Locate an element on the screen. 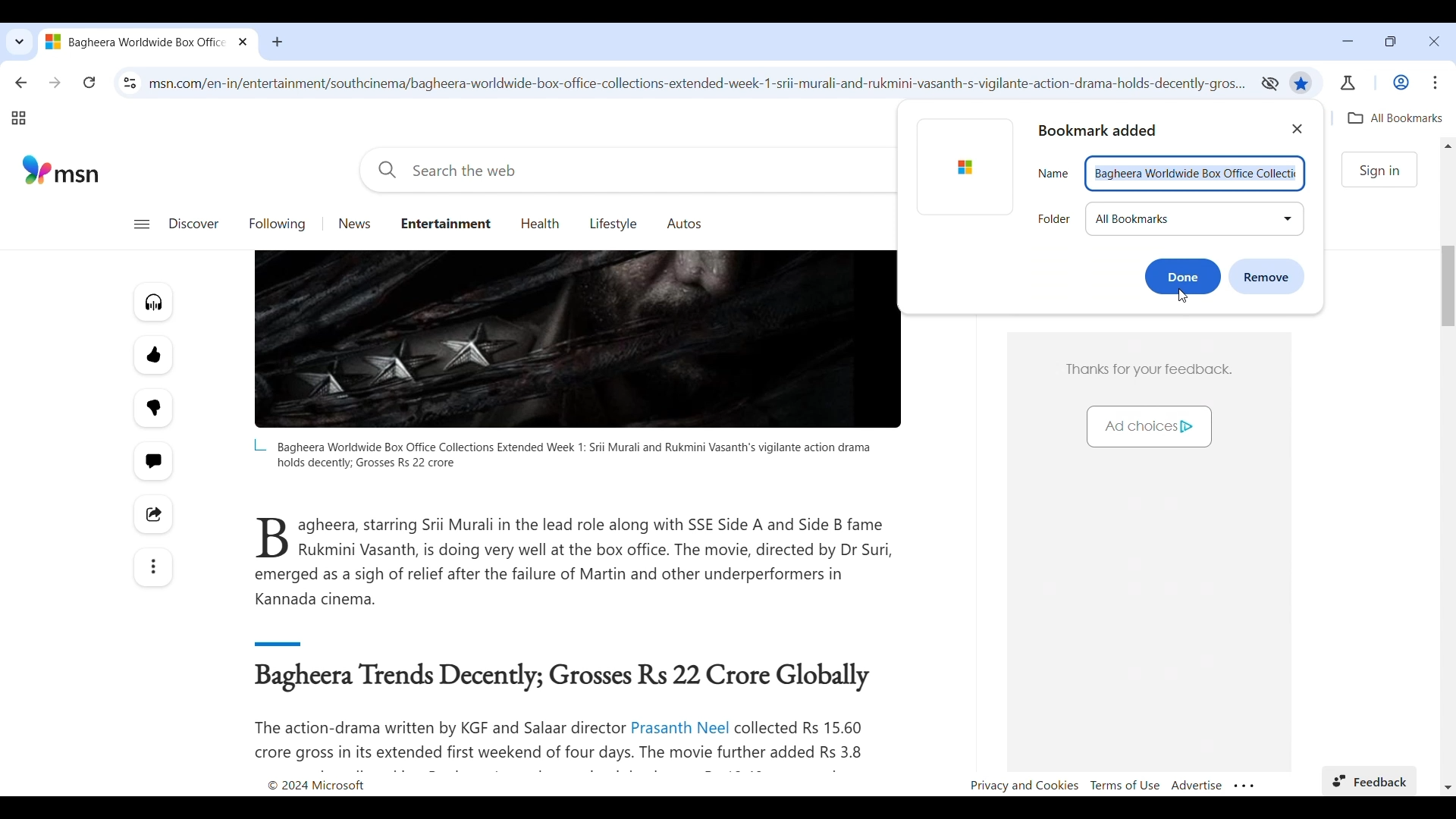 This screenshot has width=1456, height=819. Go to Autos page is located at coordinates (685, 223).